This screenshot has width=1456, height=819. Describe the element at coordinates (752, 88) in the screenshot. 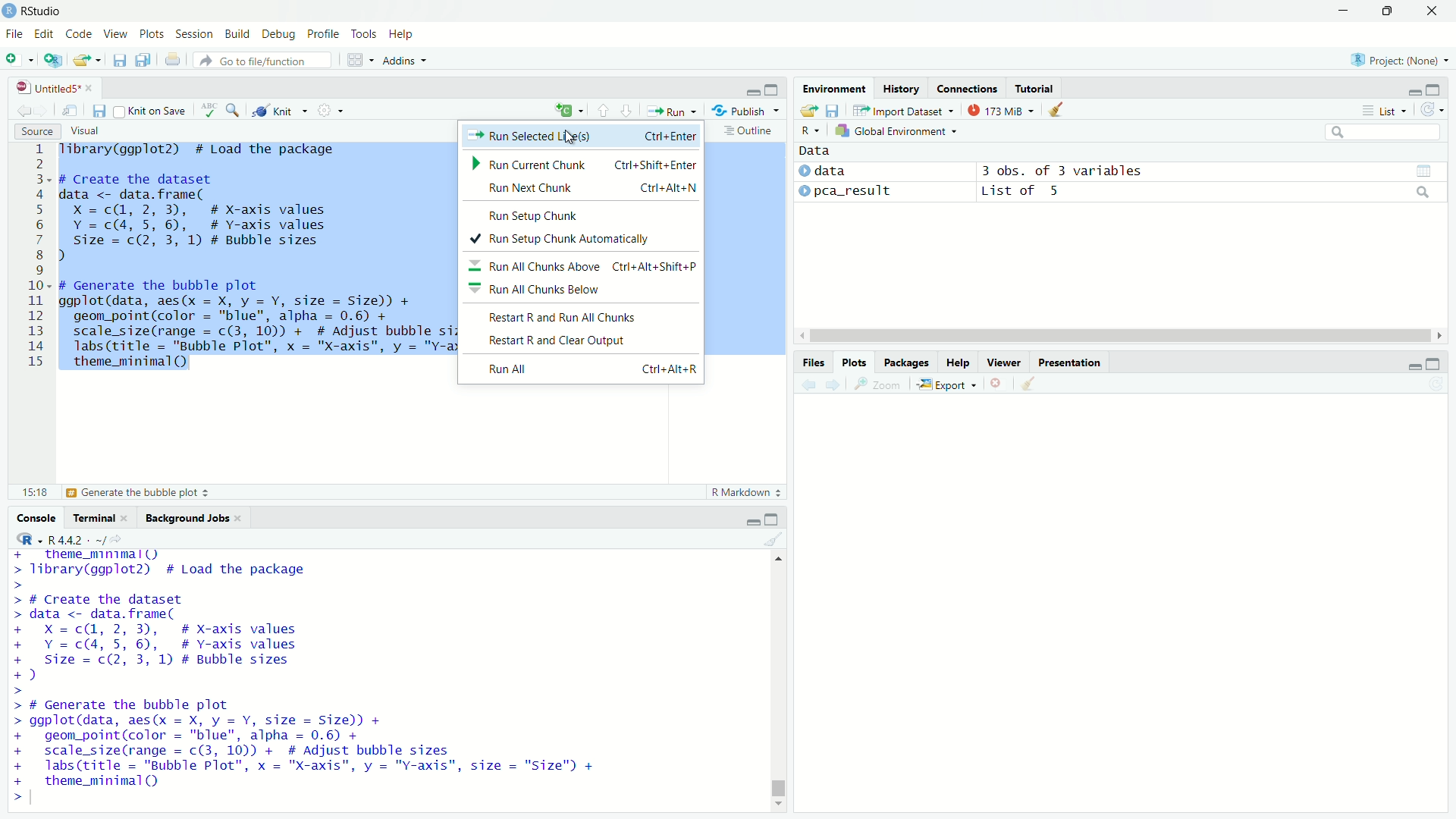

I see `minimize` at that location.